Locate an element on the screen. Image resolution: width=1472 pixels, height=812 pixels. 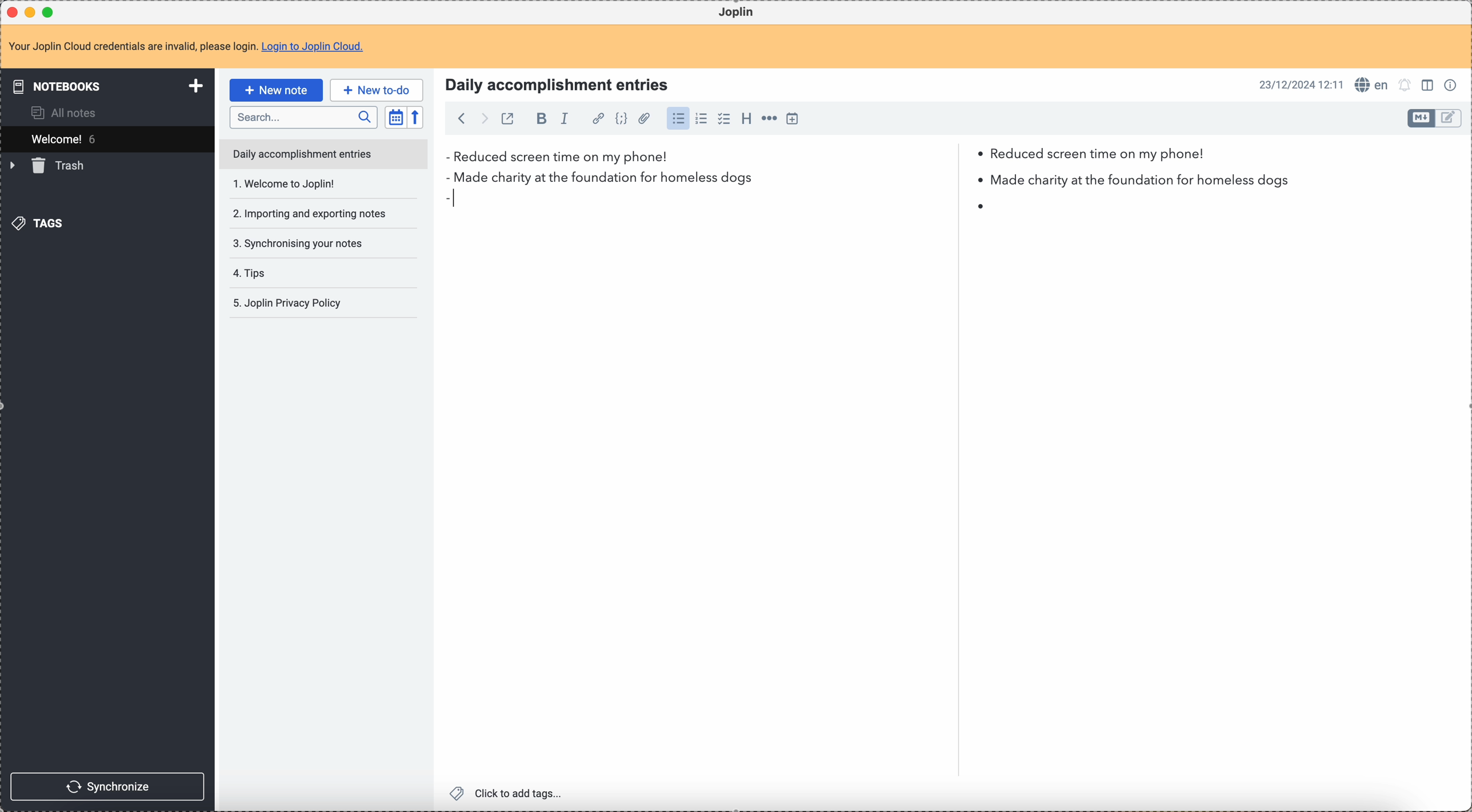
bulleted list is located at coordinates (678, 120).